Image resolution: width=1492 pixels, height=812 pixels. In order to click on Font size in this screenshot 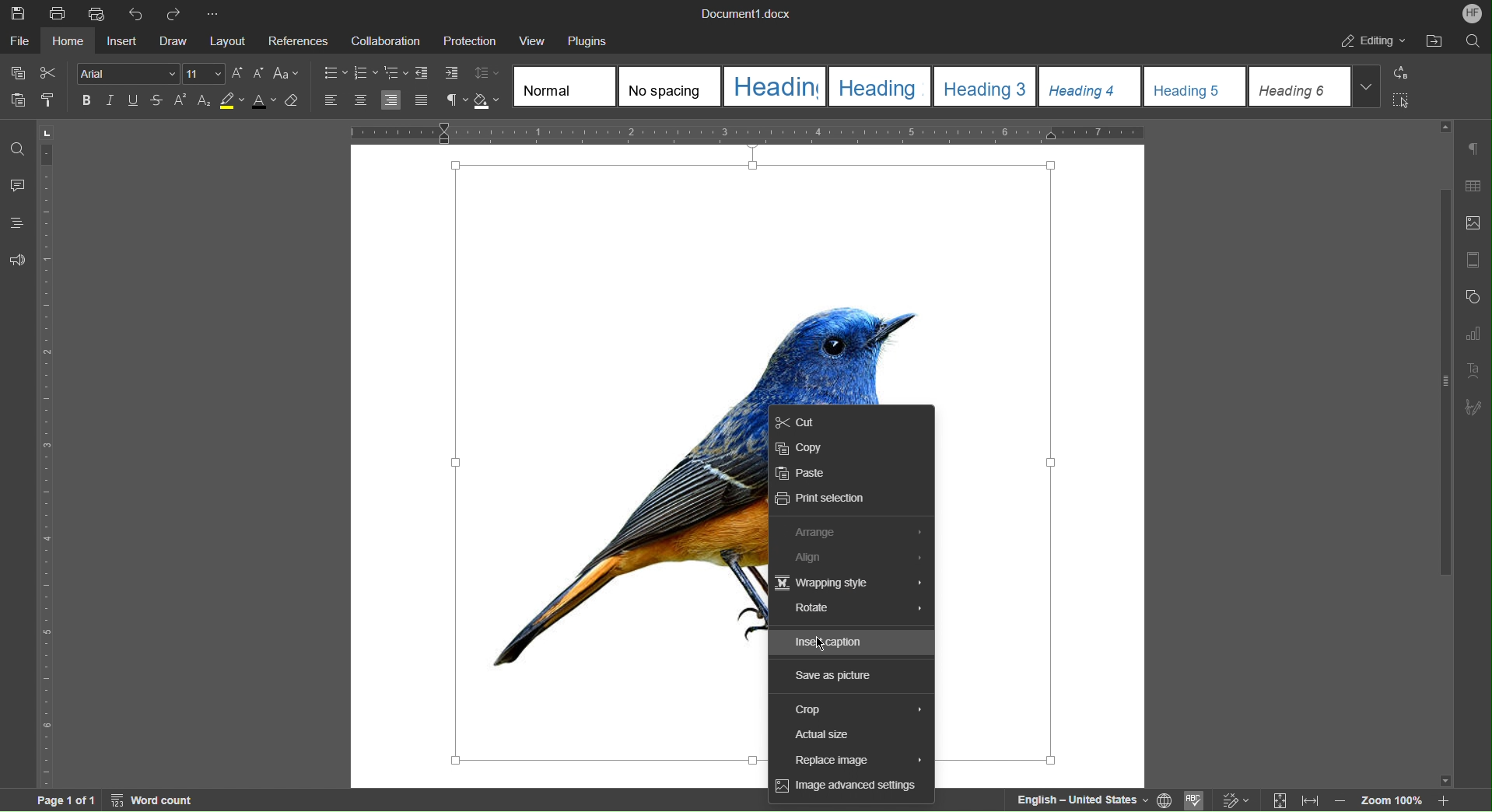, I will do `click(205, 73)`.